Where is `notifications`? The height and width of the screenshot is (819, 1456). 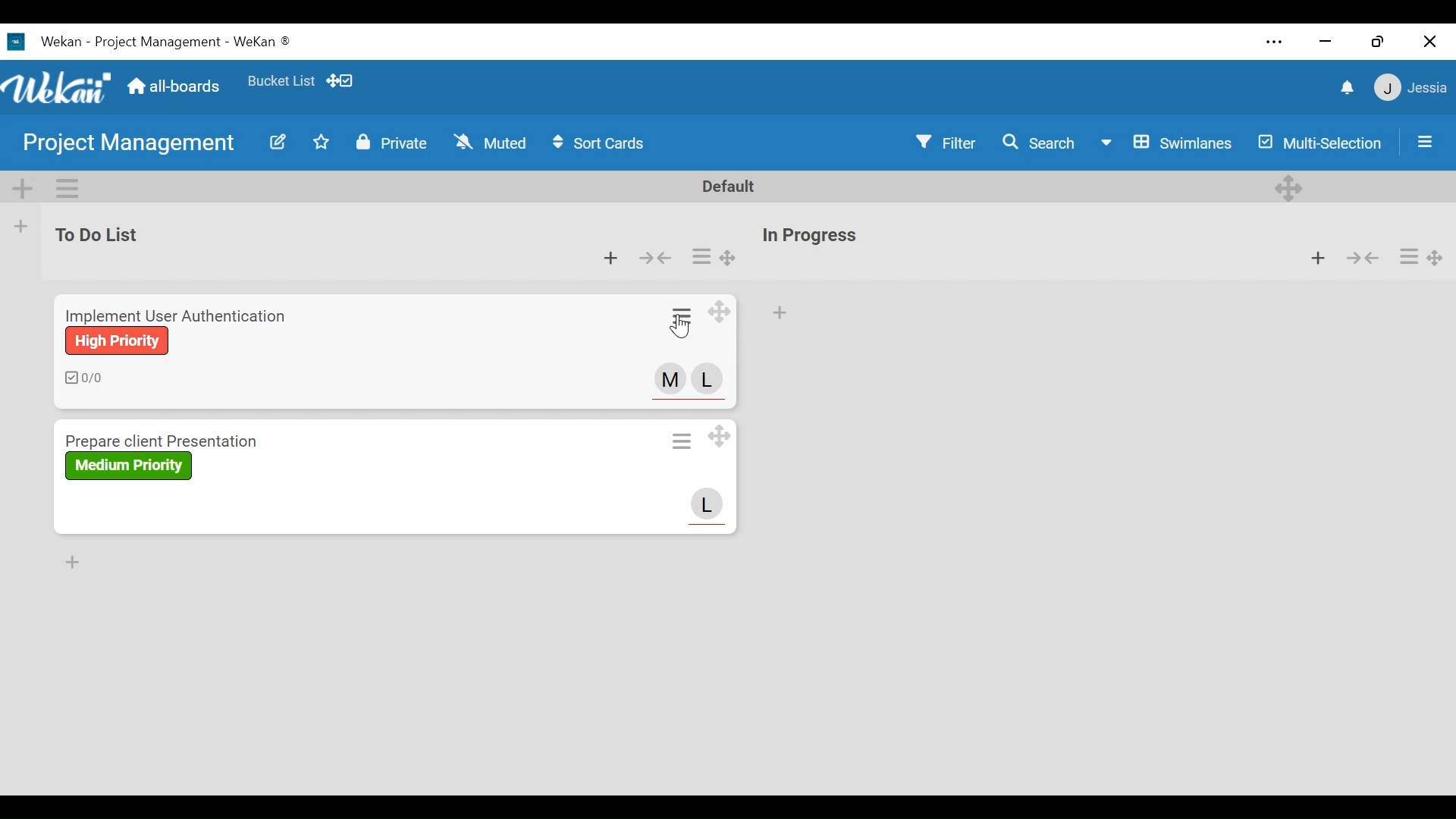 notifications is located at coordinates (1345, 89).